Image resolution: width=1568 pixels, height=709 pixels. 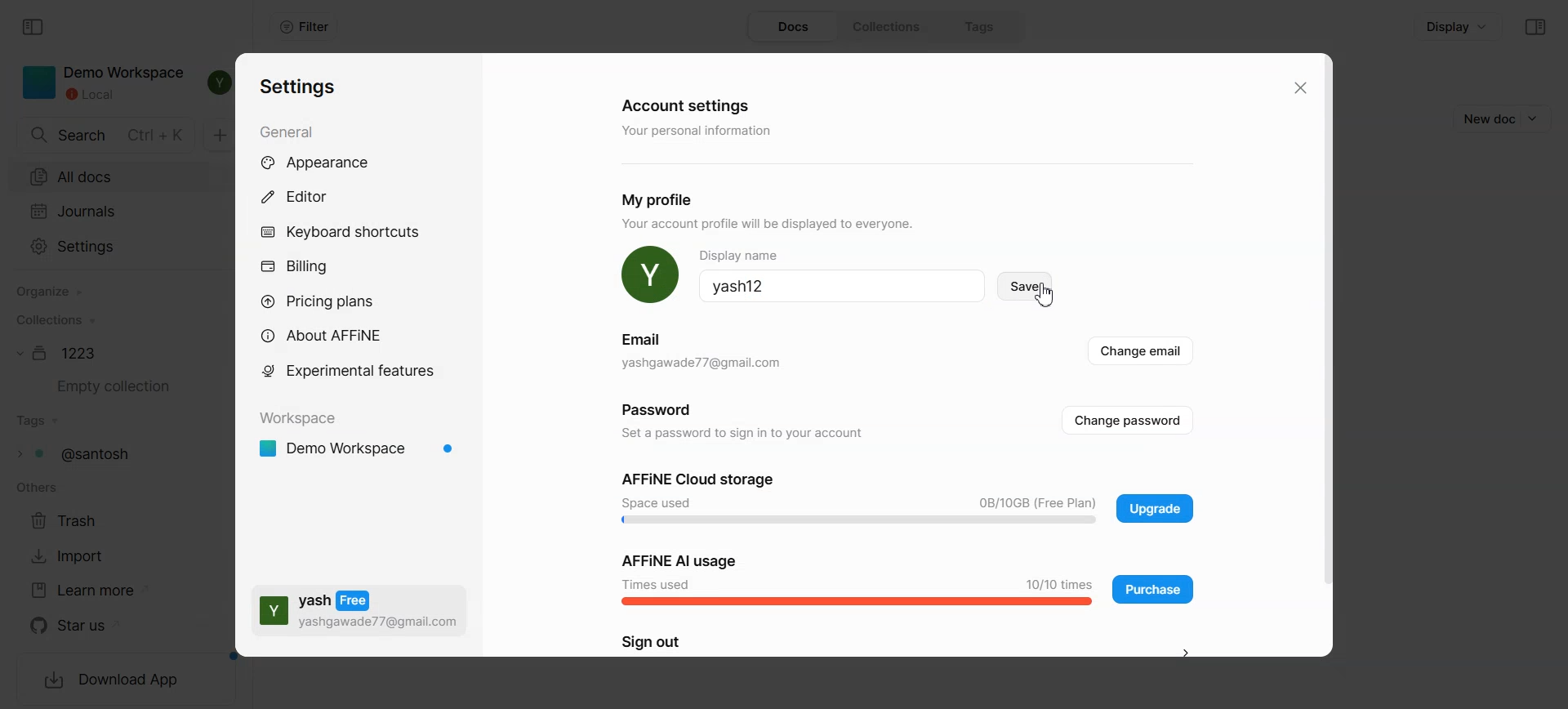 What do you see at coordinates (777, 225) in the screenshot?
I see `YOUr account proftie will be displayed 1o everyone.` at bounding box center [777, 225].